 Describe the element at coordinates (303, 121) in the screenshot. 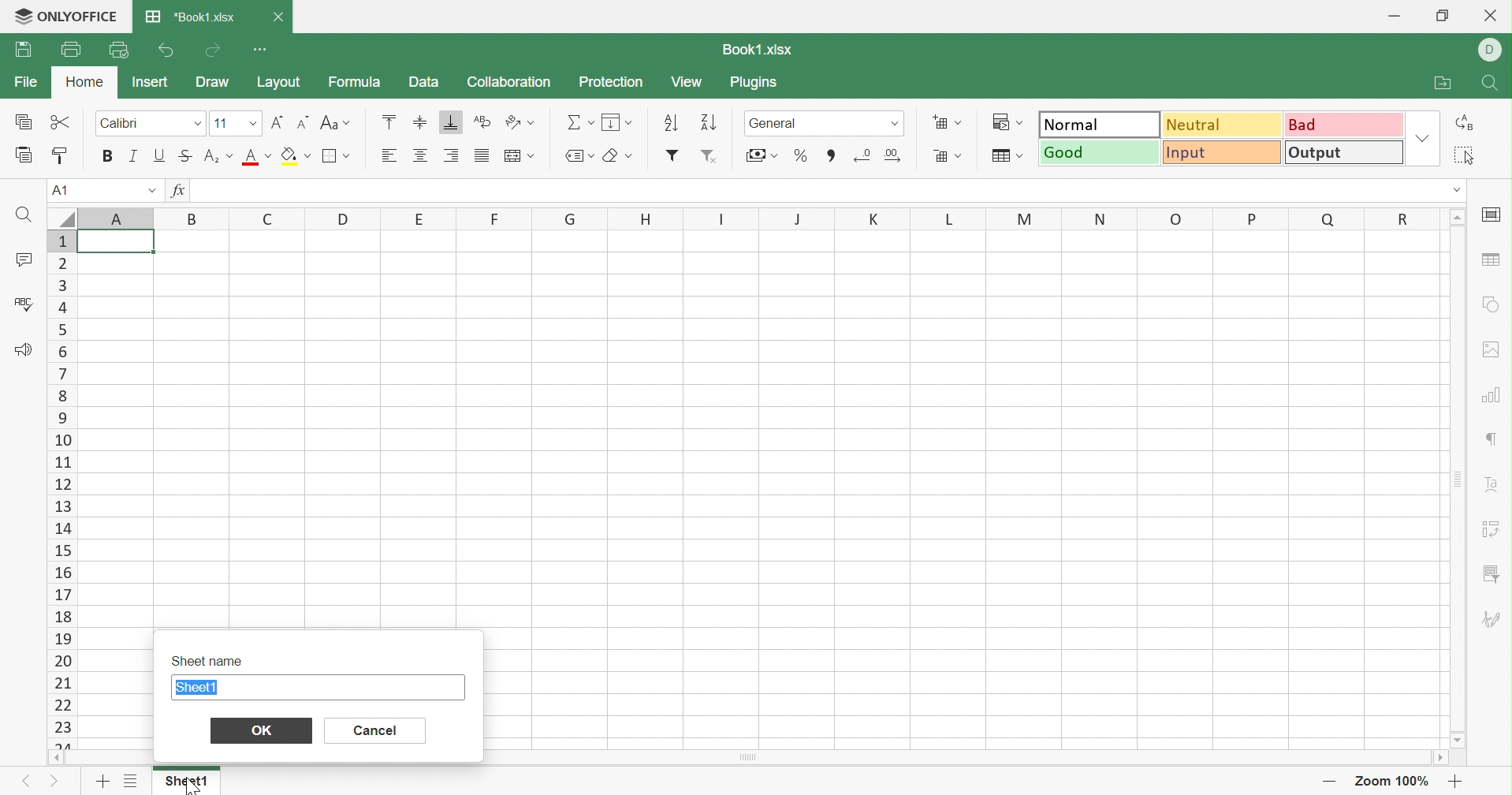

I see `Decrement font size` at that location.